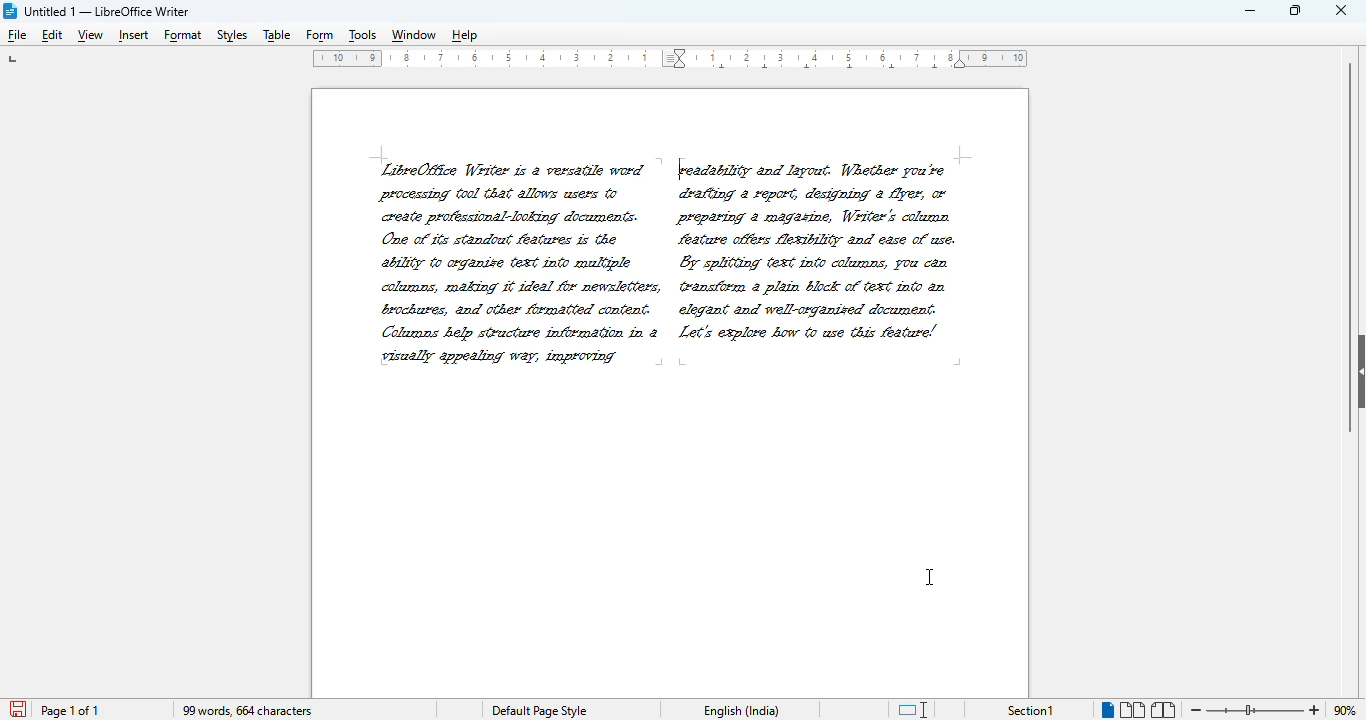 The height and width of the screenshot is (720, 1366). Describe the element at coordinates (19, 708) in the screenshot. I see `click to save document` at that location.